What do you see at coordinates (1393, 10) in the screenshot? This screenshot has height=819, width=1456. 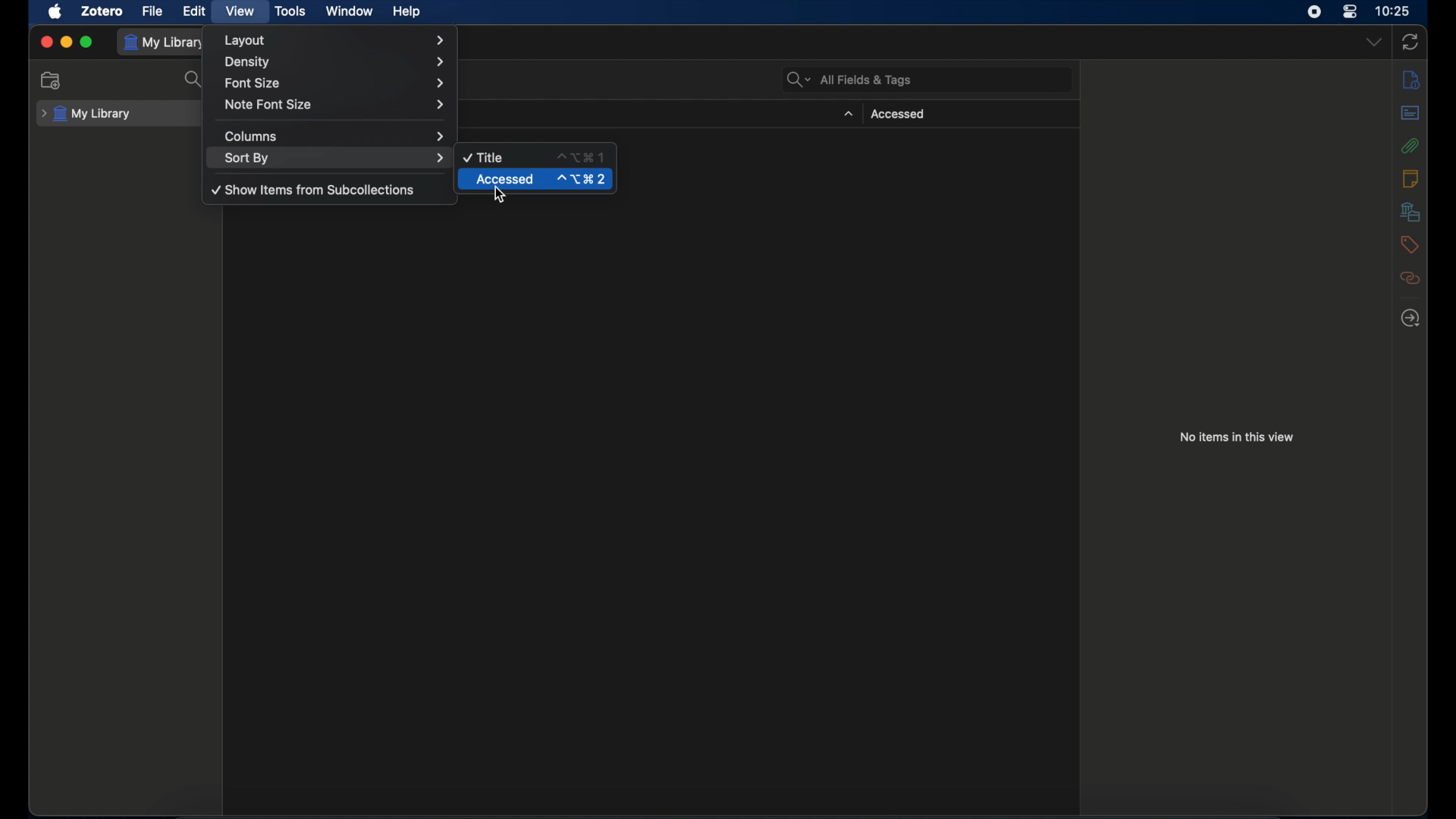 I see `time` at bounding box center [1393, 10].